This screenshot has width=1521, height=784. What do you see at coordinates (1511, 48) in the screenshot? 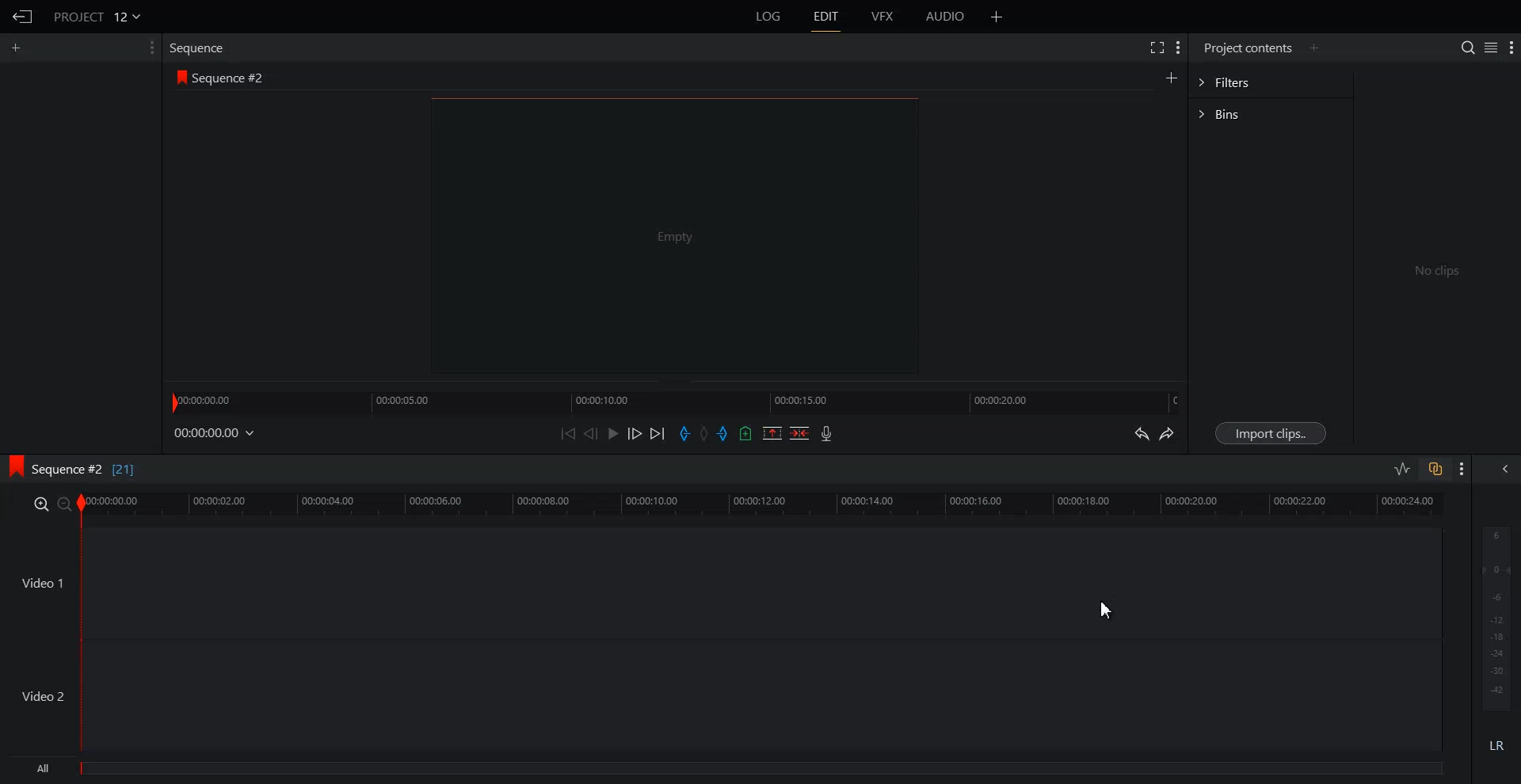
I see `Show Setting Menu` at bounding box center [1511, 48].